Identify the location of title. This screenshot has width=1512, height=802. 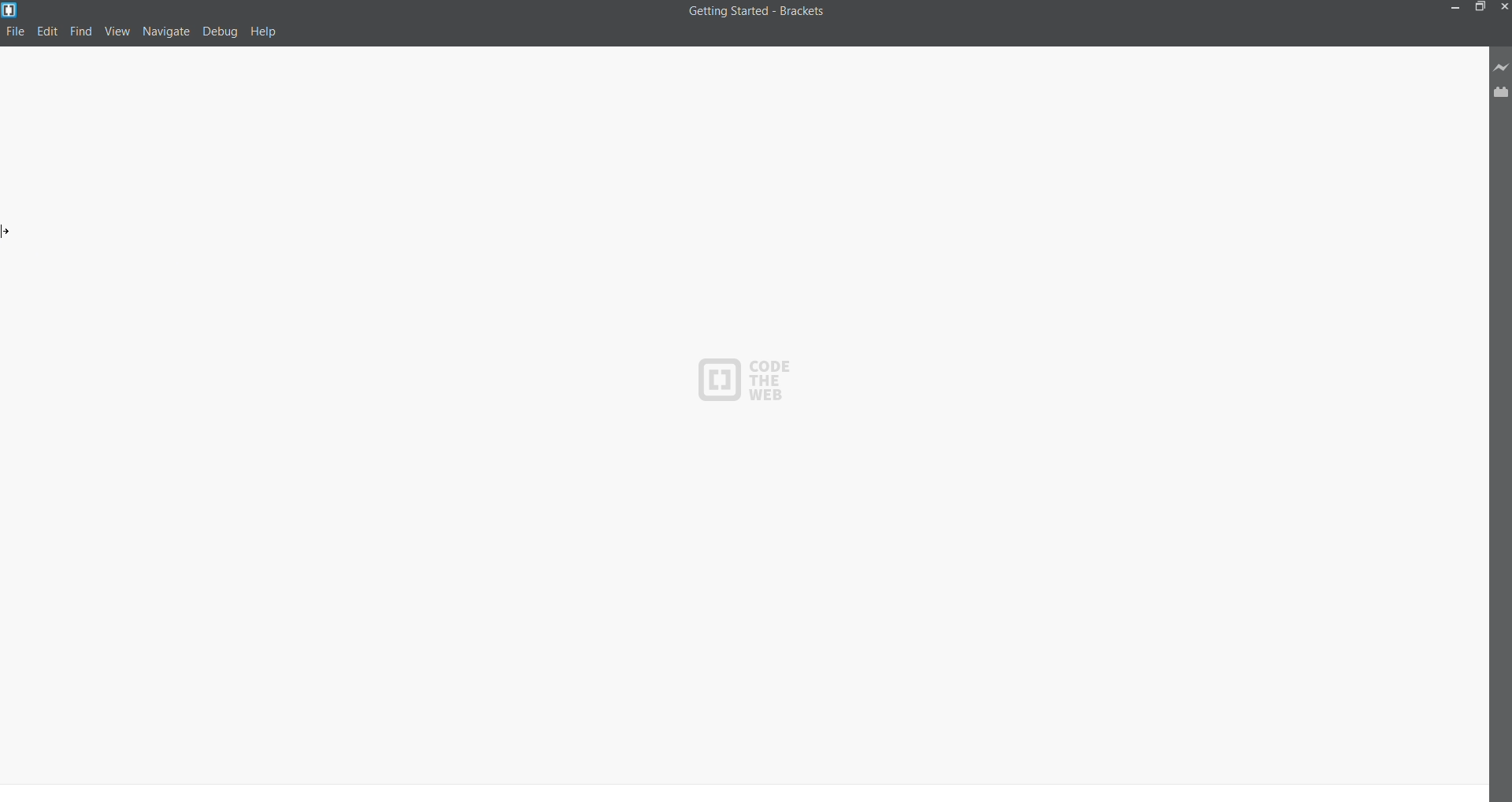
(755, 16).